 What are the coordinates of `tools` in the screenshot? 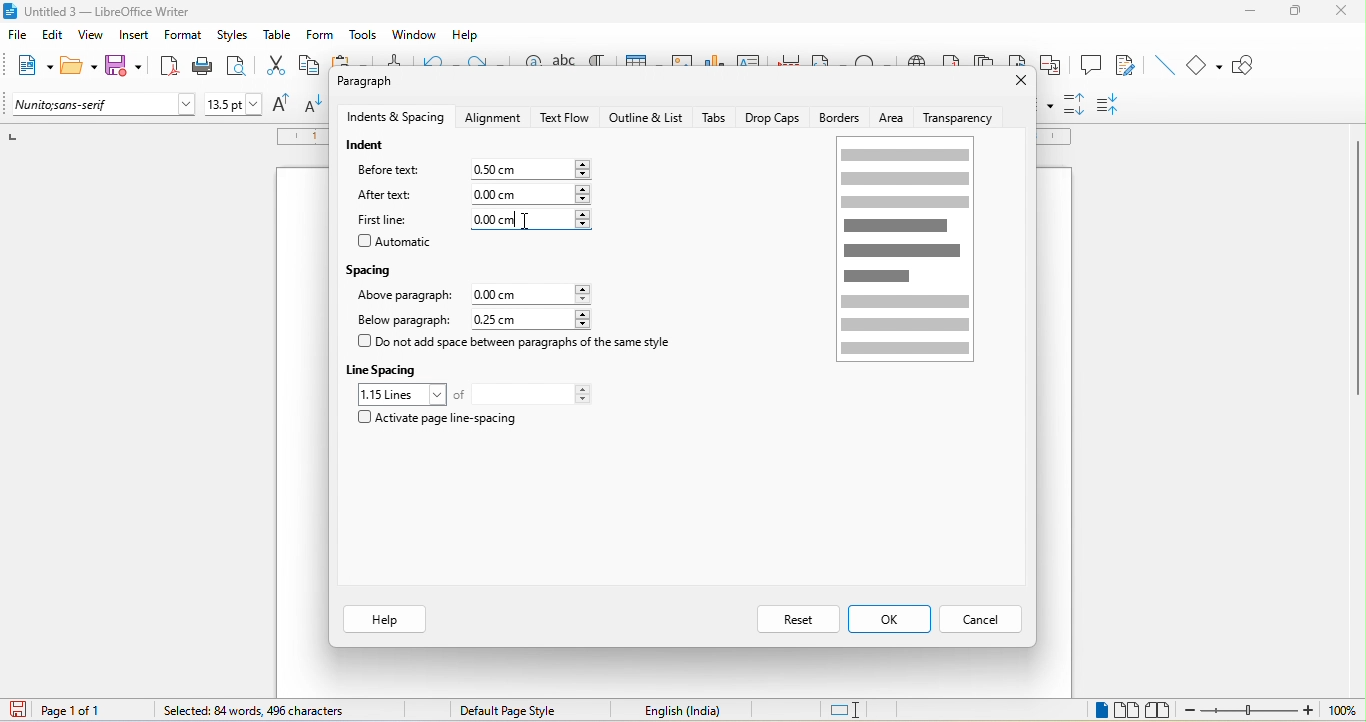 It's located at (362, 36).